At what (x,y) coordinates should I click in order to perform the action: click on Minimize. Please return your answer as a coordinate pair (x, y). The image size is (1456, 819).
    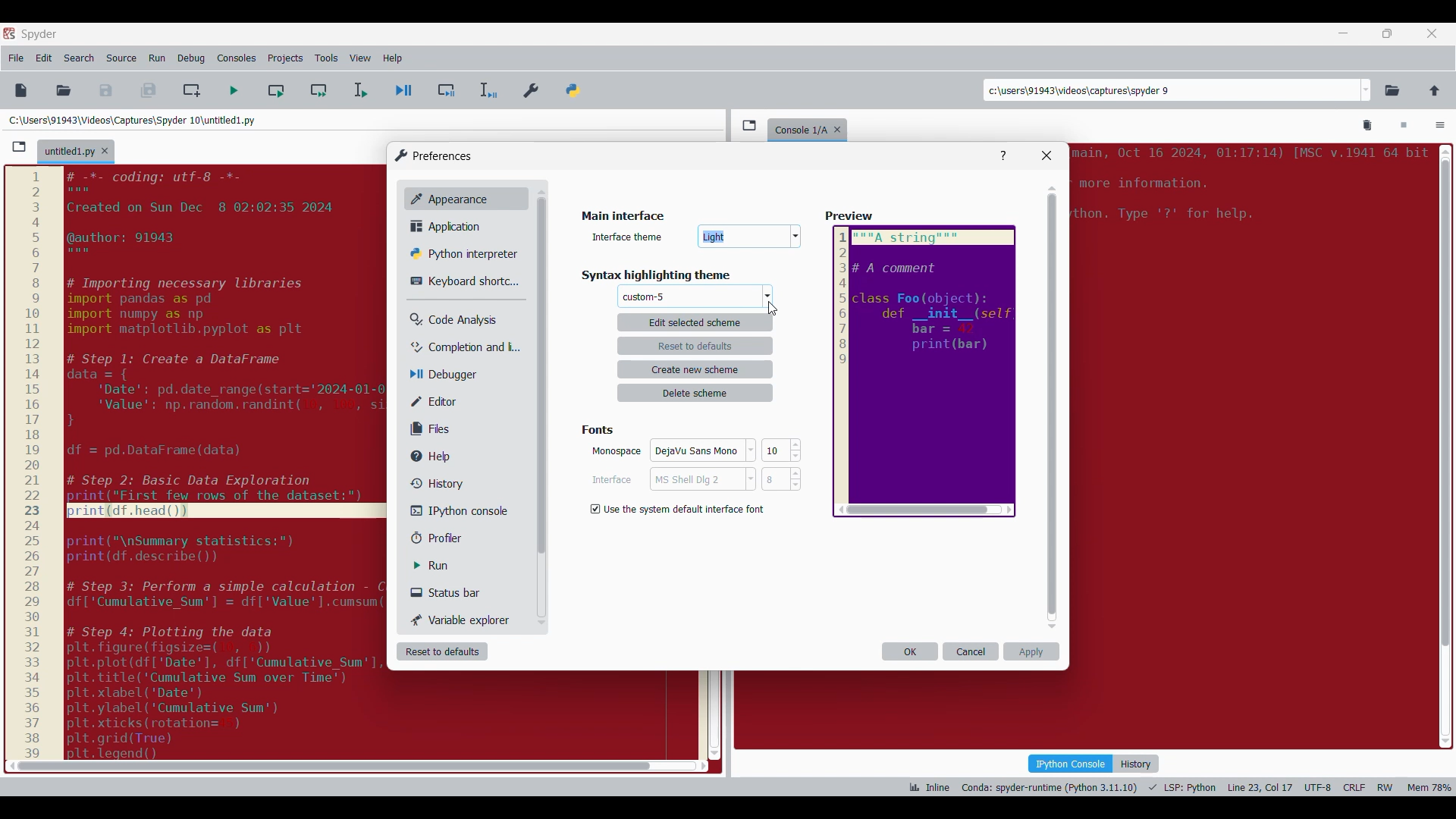
    Looking at the image, I should click on (1344, 33).